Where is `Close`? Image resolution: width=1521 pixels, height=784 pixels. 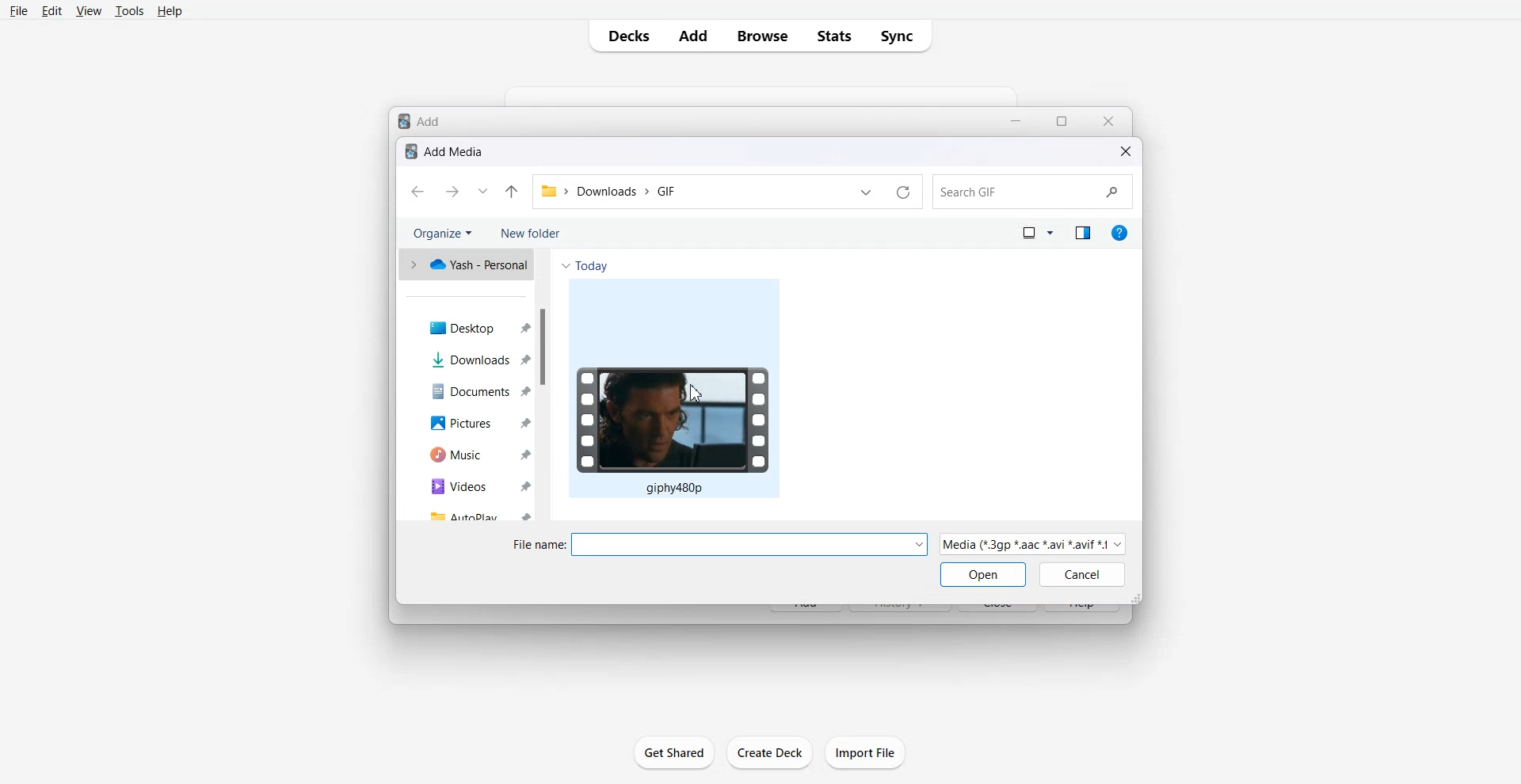 Close is located at coordinates (1110, 120).